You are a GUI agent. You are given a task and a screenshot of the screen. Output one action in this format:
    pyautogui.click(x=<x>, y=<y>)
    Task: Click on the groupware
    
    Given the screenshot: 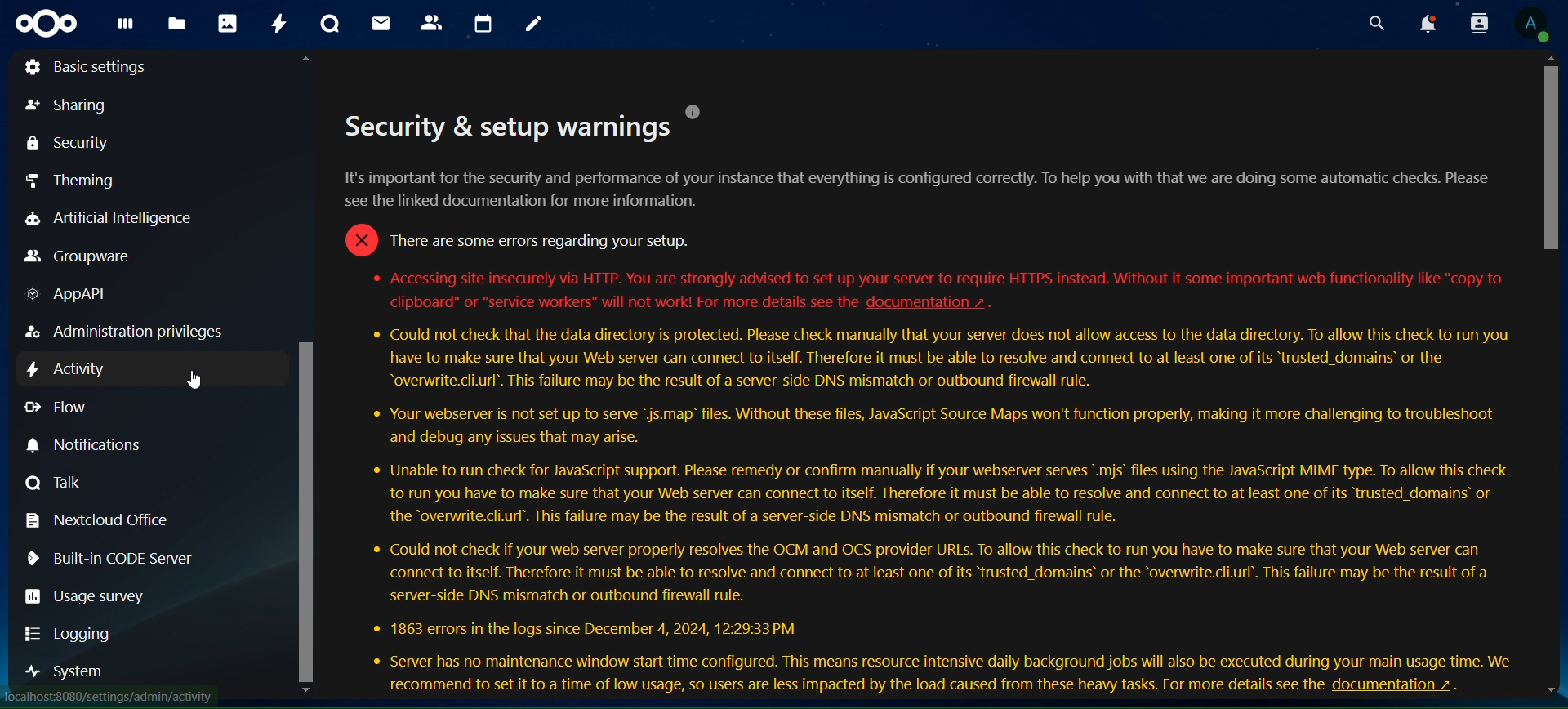 What is the action you would take?
    pyautogui.click(x=78, y=256)
    